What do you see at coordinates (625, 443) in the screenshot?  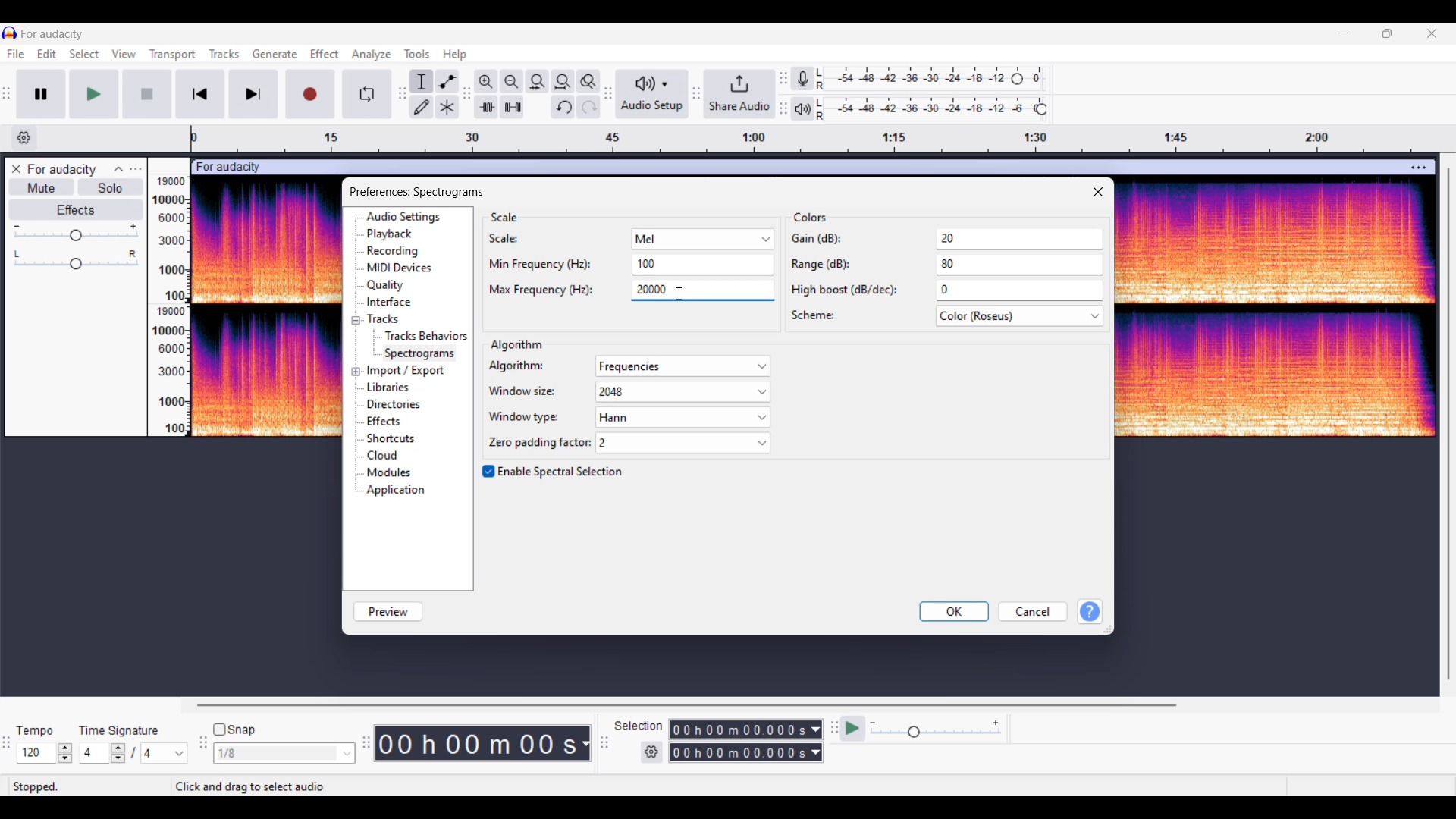 I see `zone padding factor` at bounding box center [625, 443].